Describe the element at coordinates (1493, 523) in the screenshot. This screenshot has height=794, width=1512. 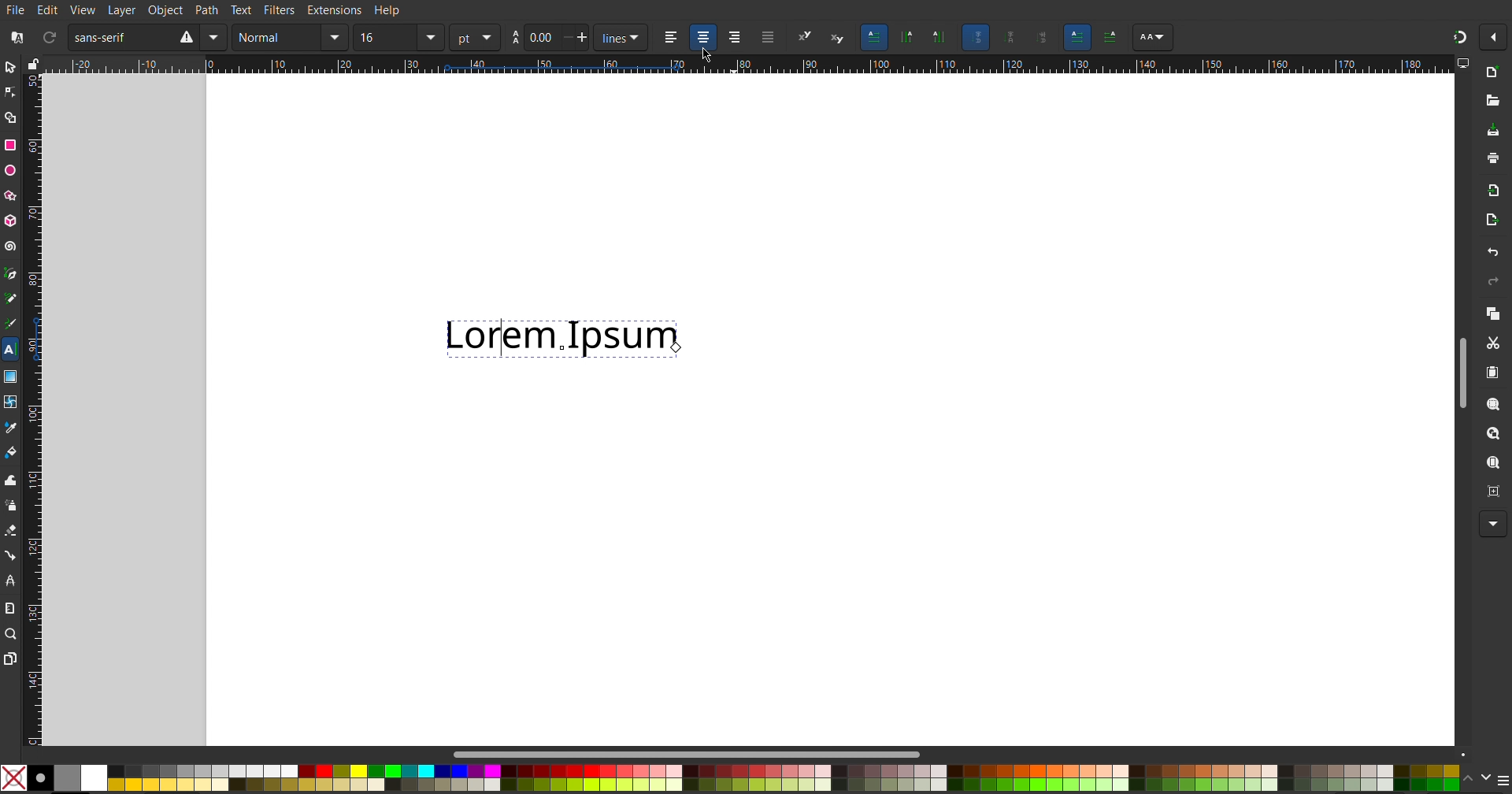
I see `More` at that location.